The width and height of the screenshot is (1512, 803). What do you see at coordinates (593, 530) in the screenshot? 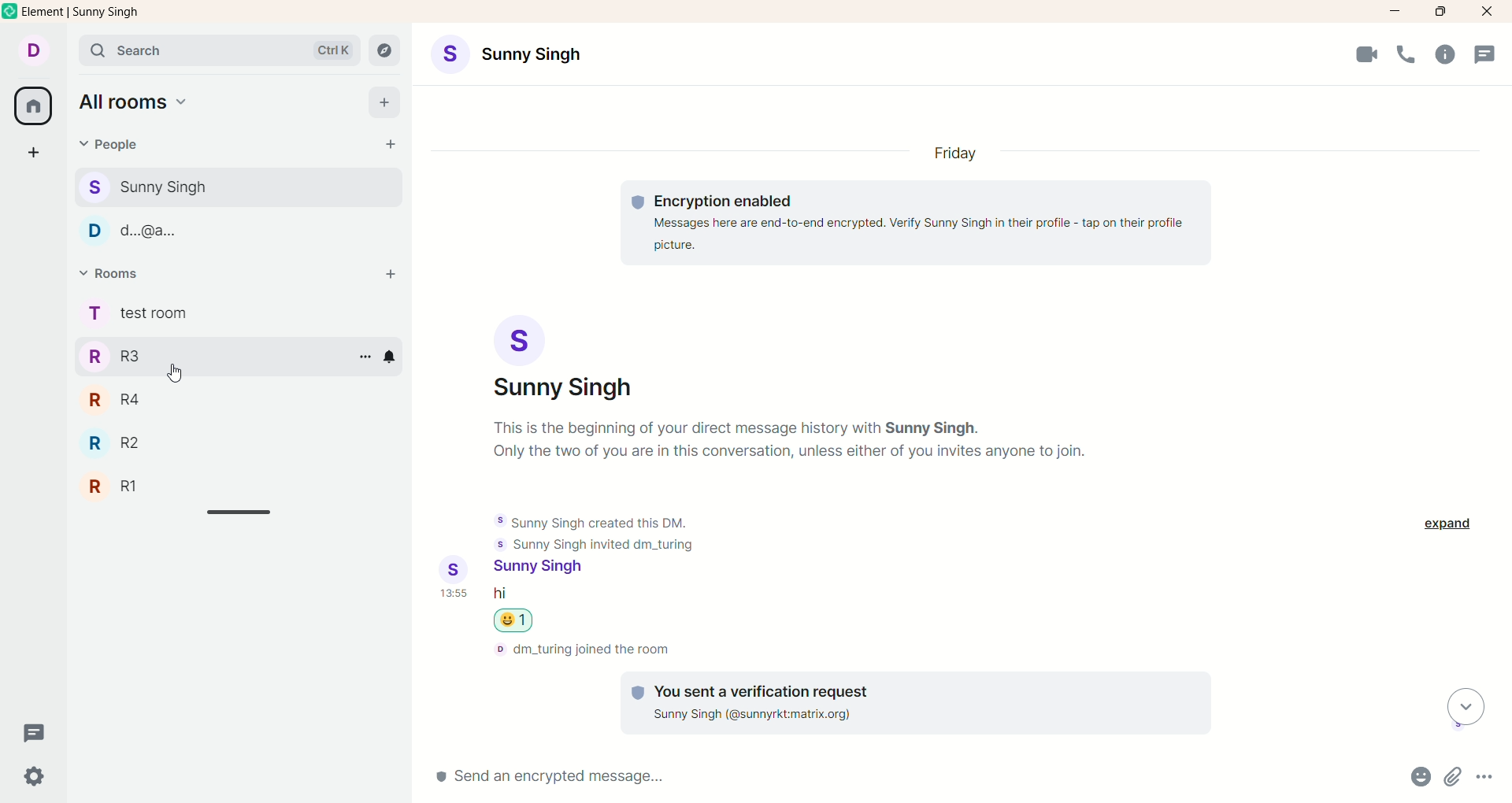
I see `text` at bounding box center [593, 530].